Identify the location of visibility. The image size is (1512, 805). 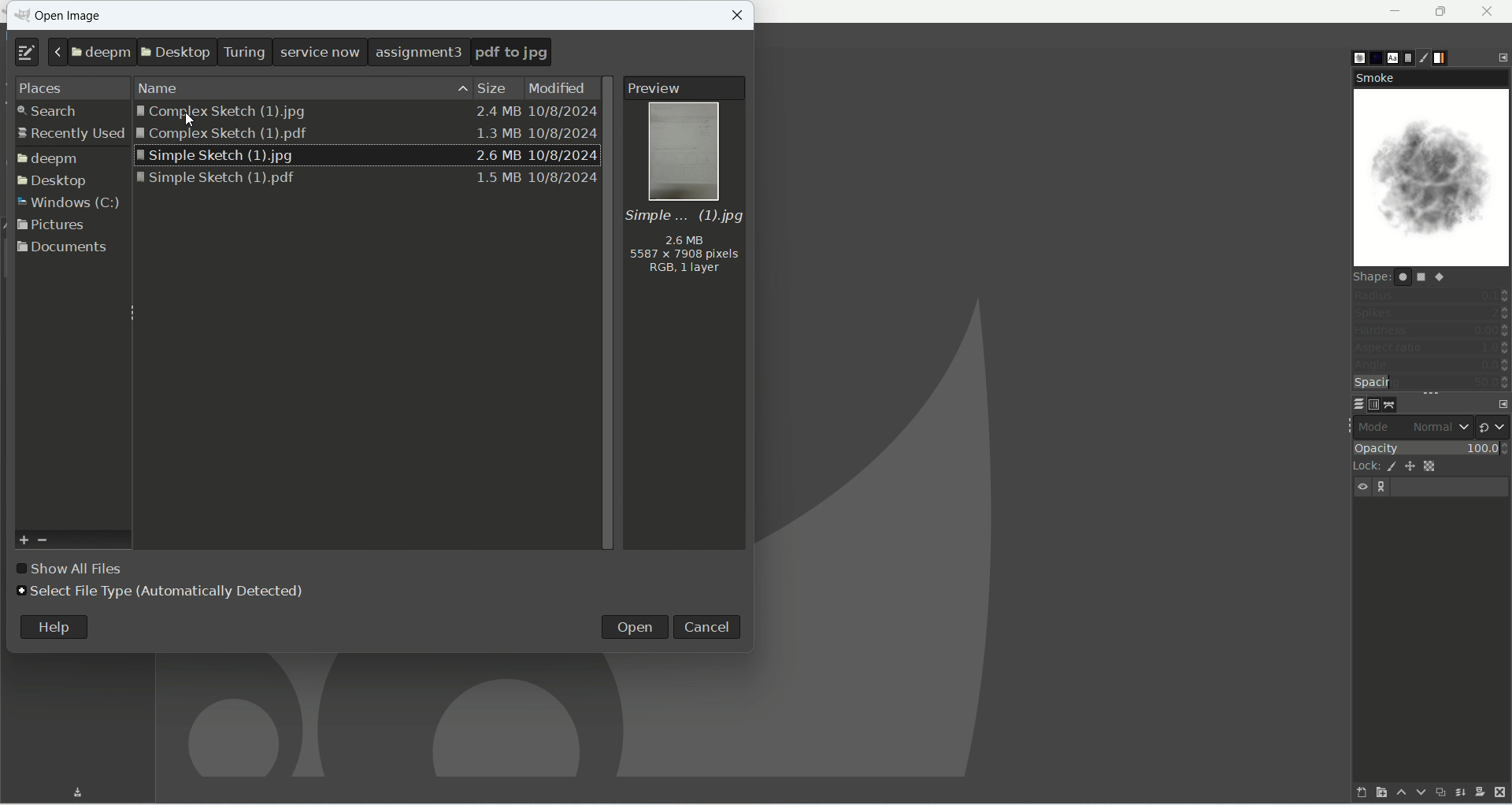
(1361, 486).